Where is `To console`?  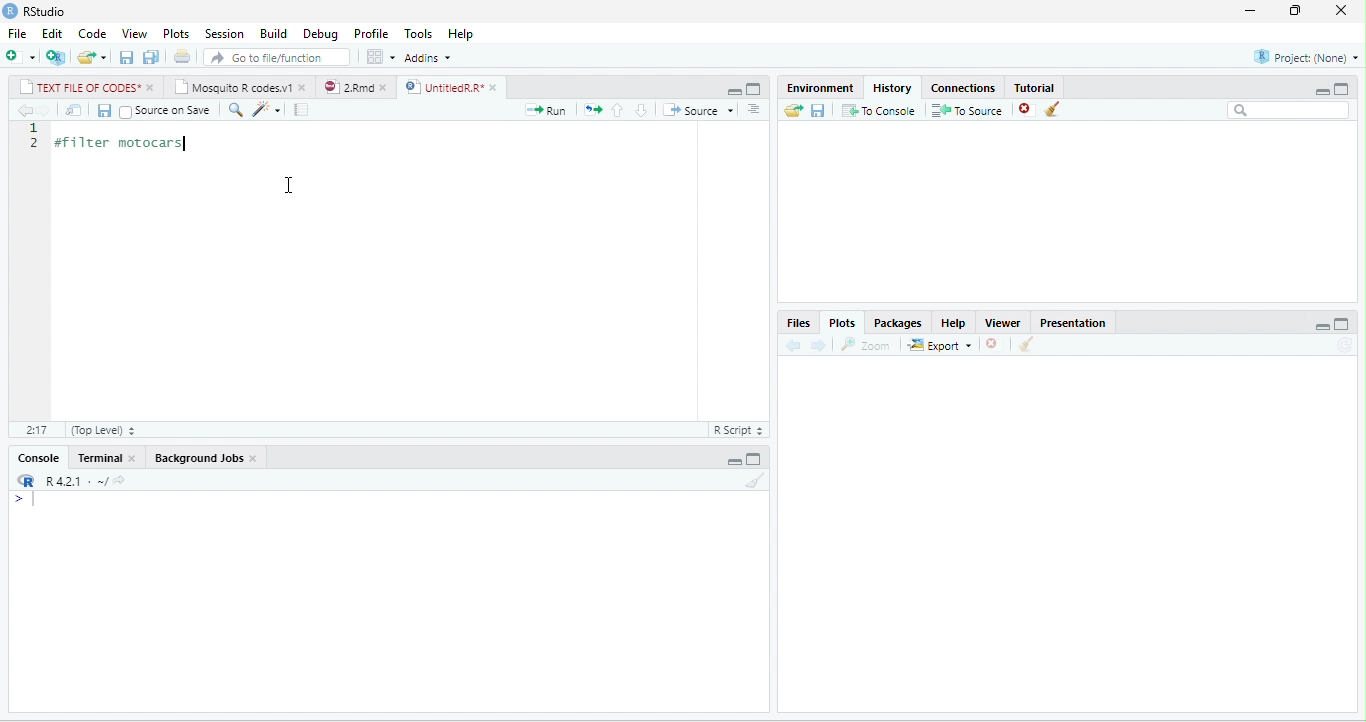 To console is located at coordinates (879, 110).